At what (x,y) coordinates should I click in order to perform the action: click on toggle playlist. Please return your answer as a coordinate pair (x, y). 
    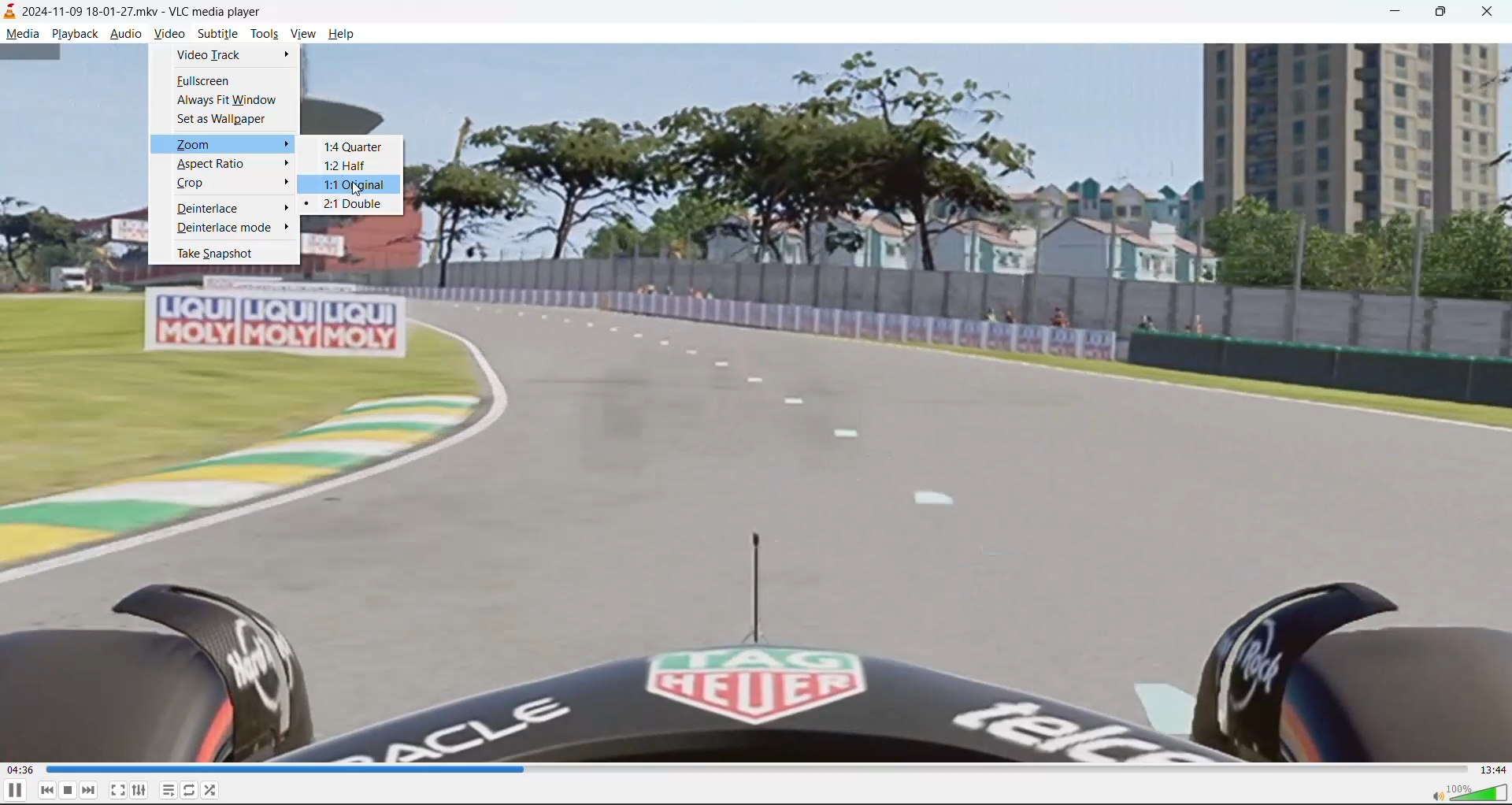
    Looking at the image, I should click on (166, 789).